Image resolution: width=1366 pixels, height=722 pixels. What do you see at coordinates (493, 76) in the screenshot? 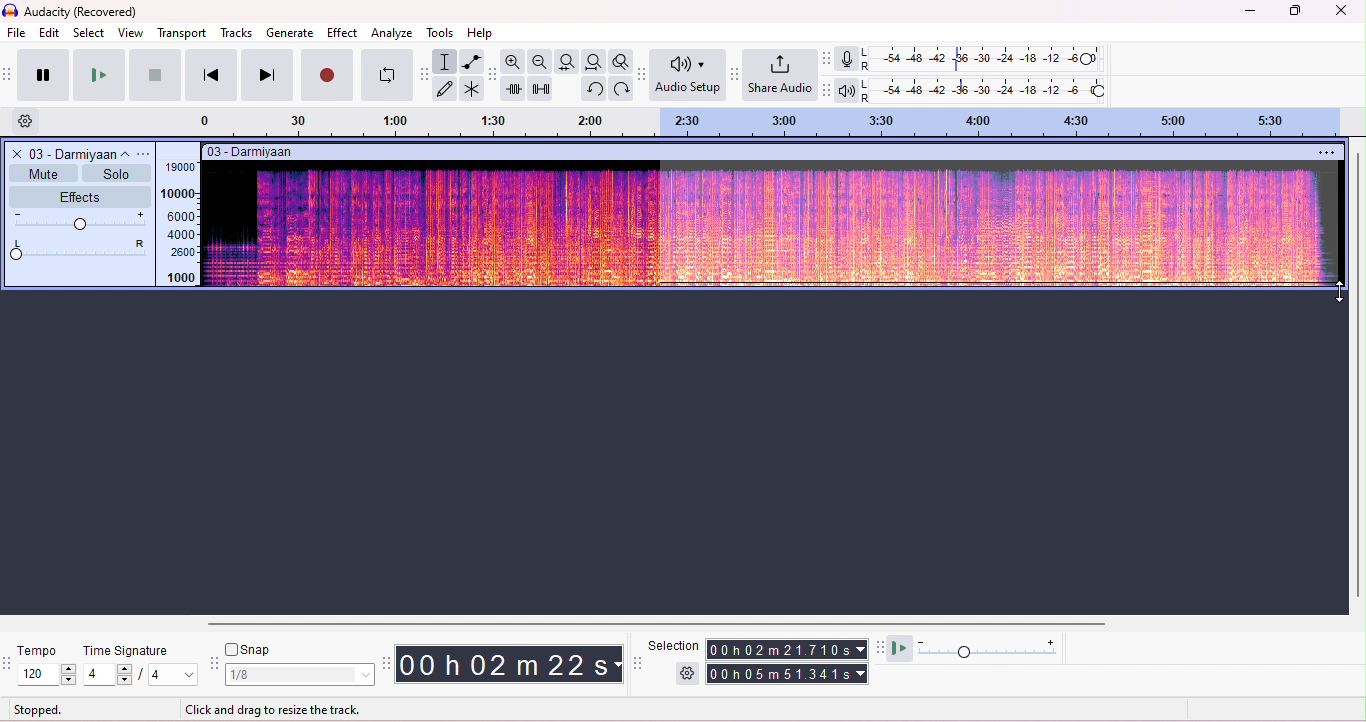
I see `edit tool bar` at bounding box center [493, 76].